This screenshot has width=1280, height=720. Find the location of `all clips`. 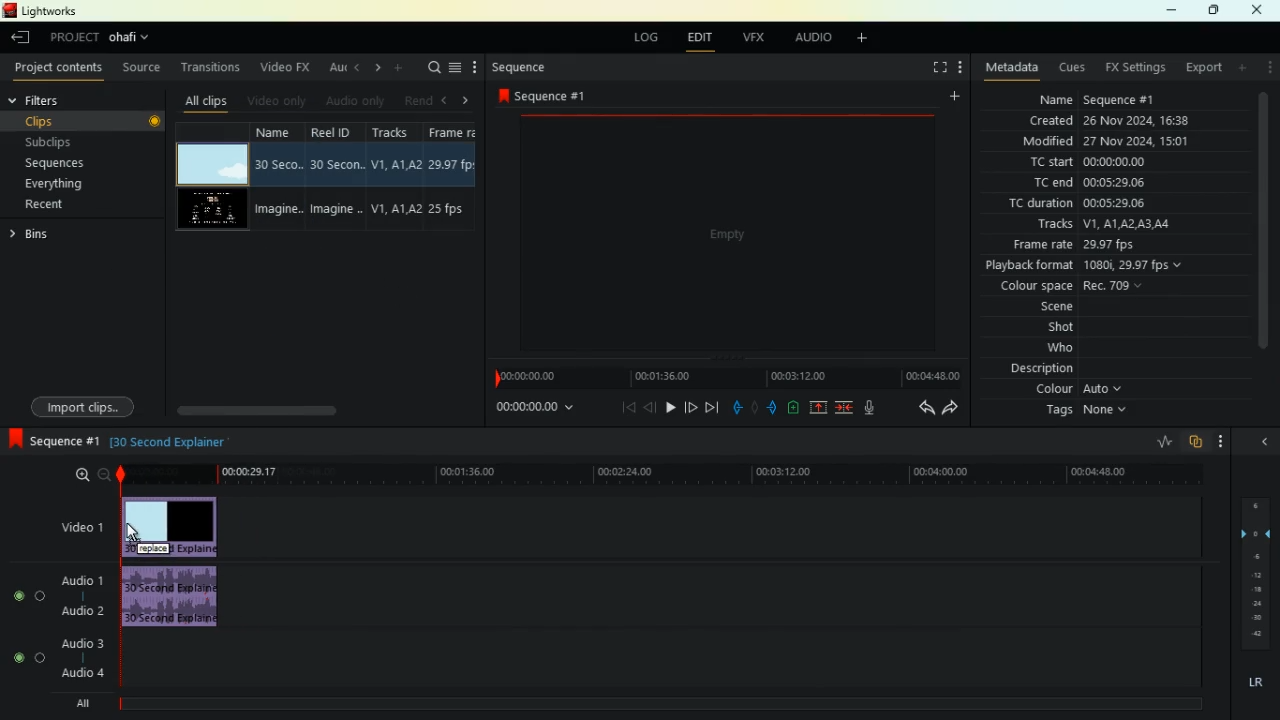

all clips is located at coordinates (205, 103).